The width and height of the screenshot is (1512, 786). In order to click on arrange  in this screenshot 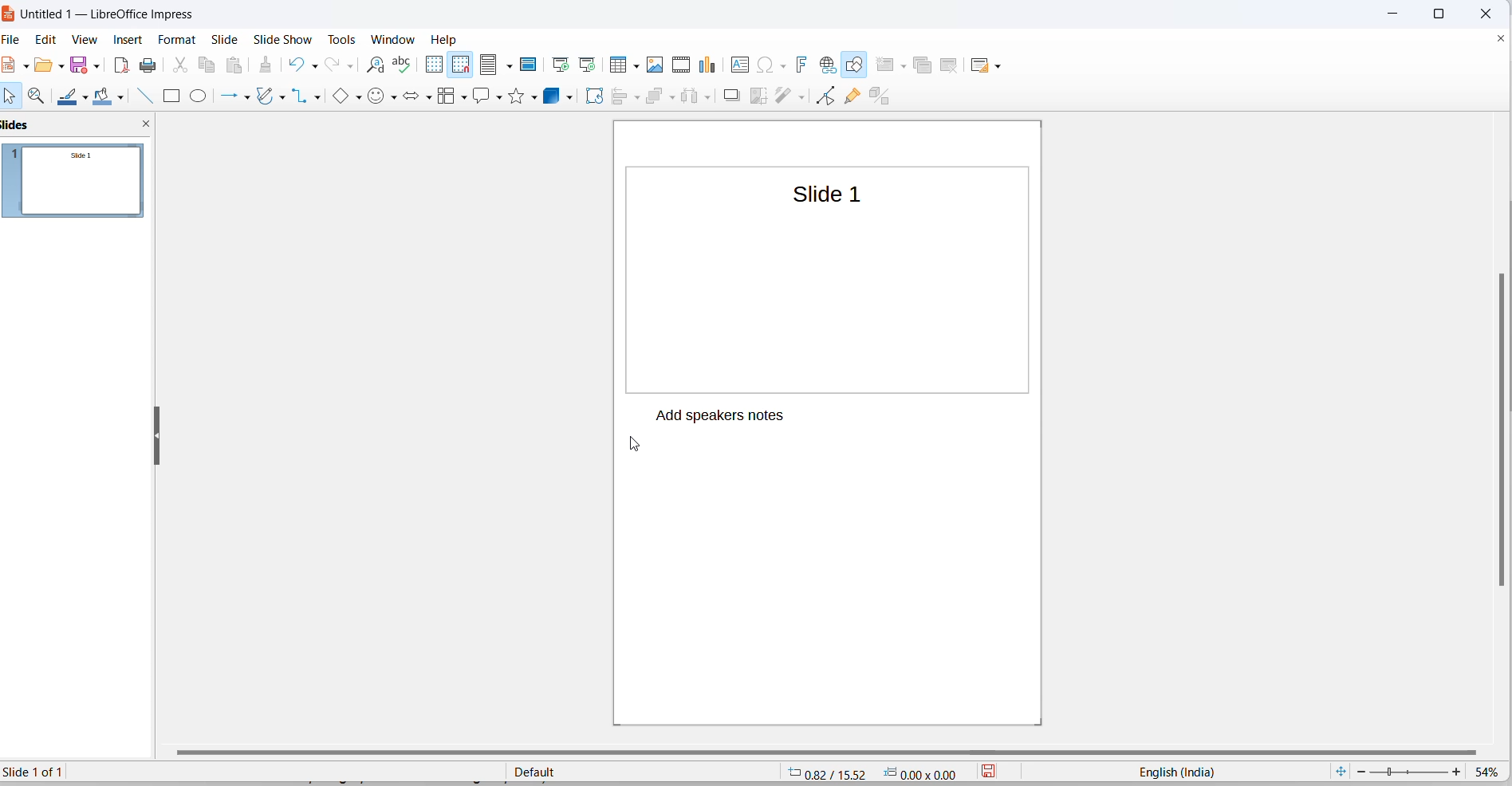, I will do `click(655, 97)`.